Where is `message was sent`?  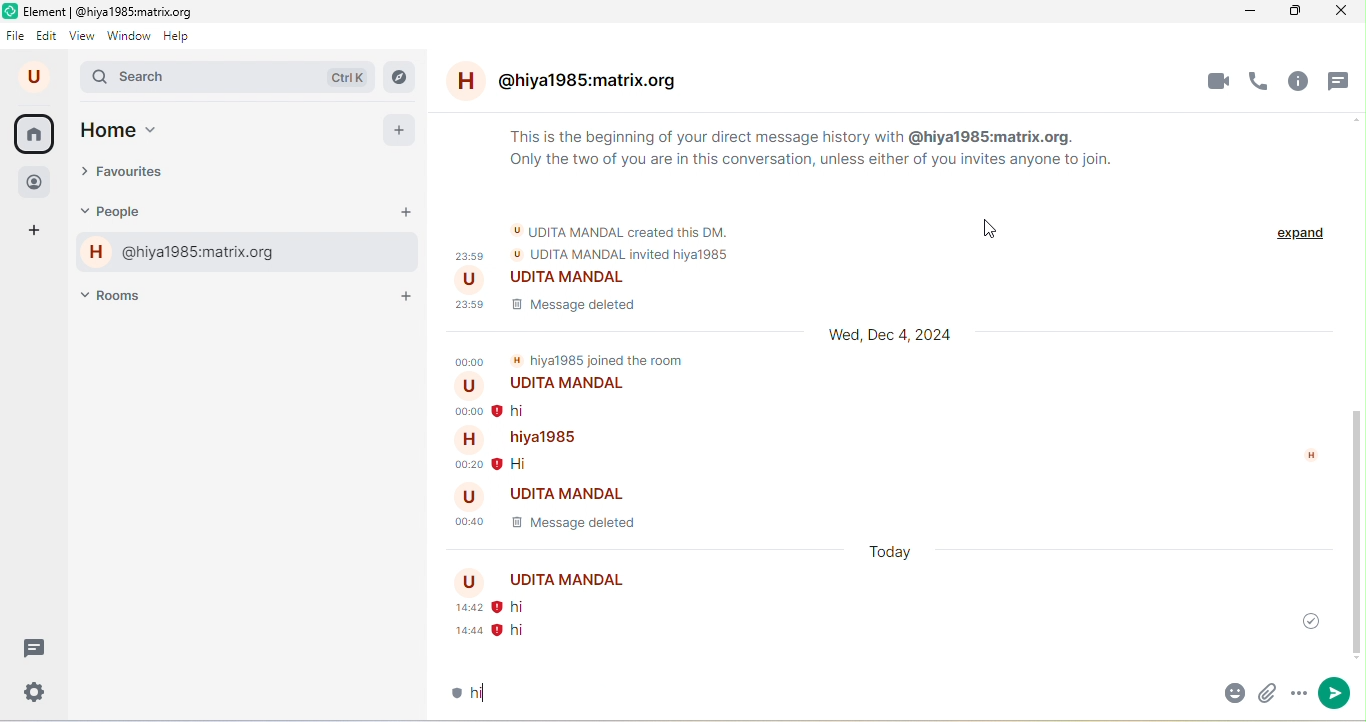
message was sent is located at coordinates (1302, 619).